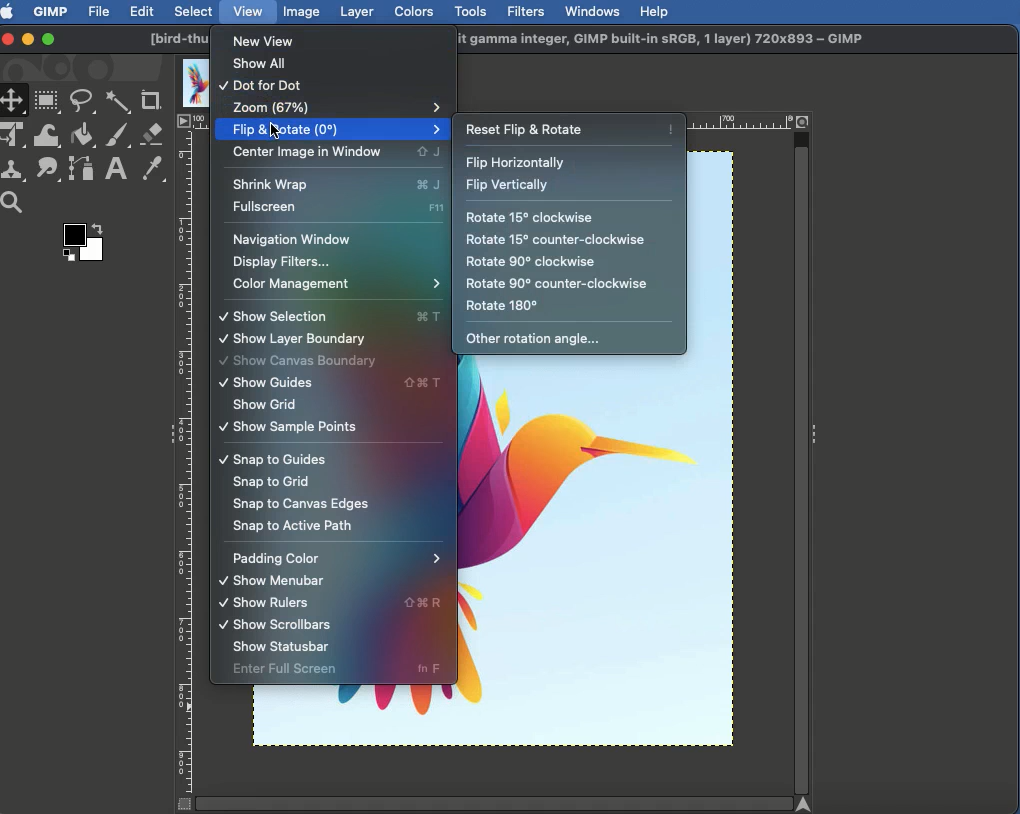  What do you see at coordinates (807, 803) in the screenshot?
I see `Navigate the image display` at bounding box center [807, 803].